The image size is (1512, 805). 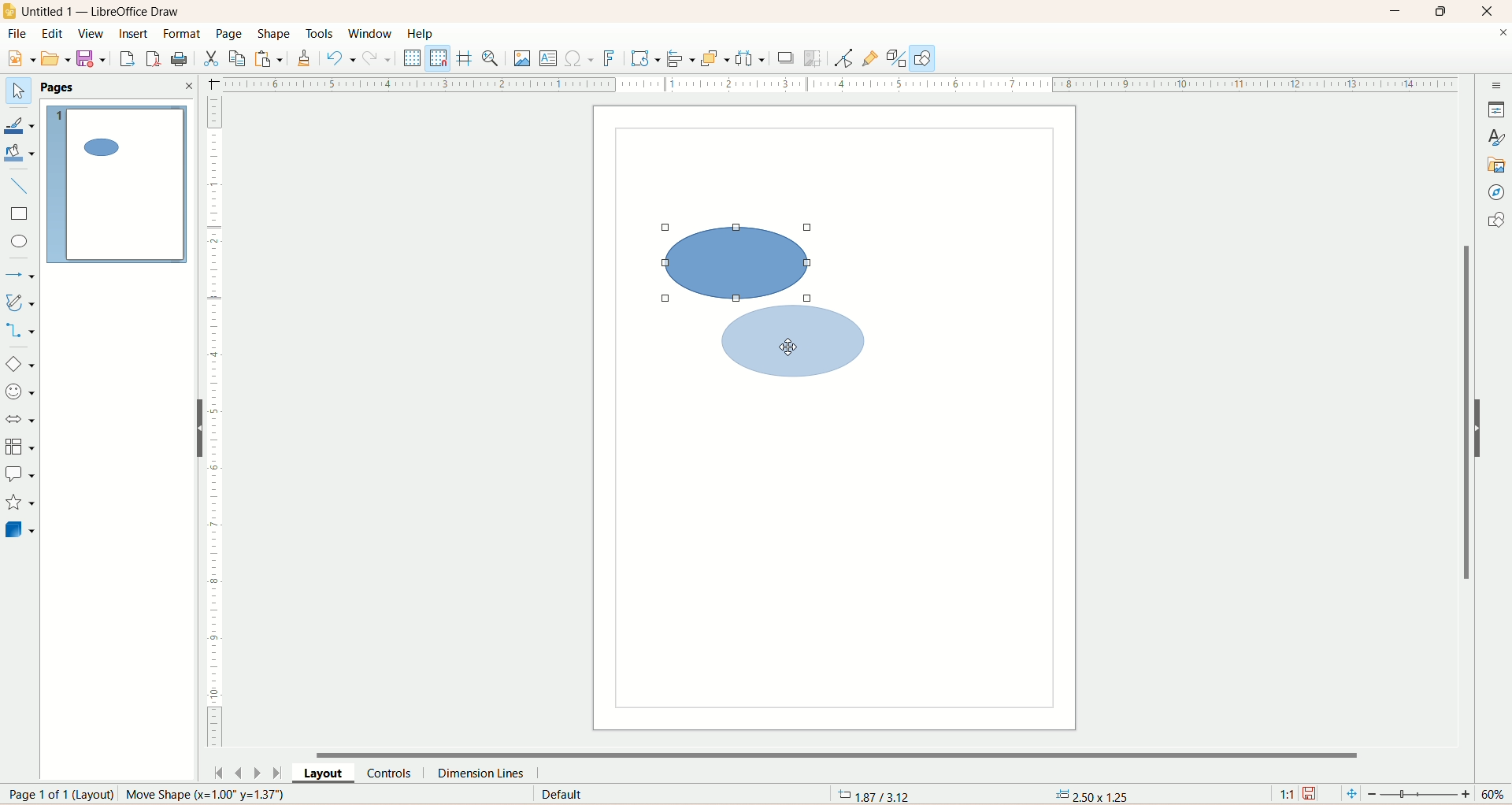 What do you see at coordinates (103, 10) in the screenshot?
I see `title` at bounding box center [103, 10].